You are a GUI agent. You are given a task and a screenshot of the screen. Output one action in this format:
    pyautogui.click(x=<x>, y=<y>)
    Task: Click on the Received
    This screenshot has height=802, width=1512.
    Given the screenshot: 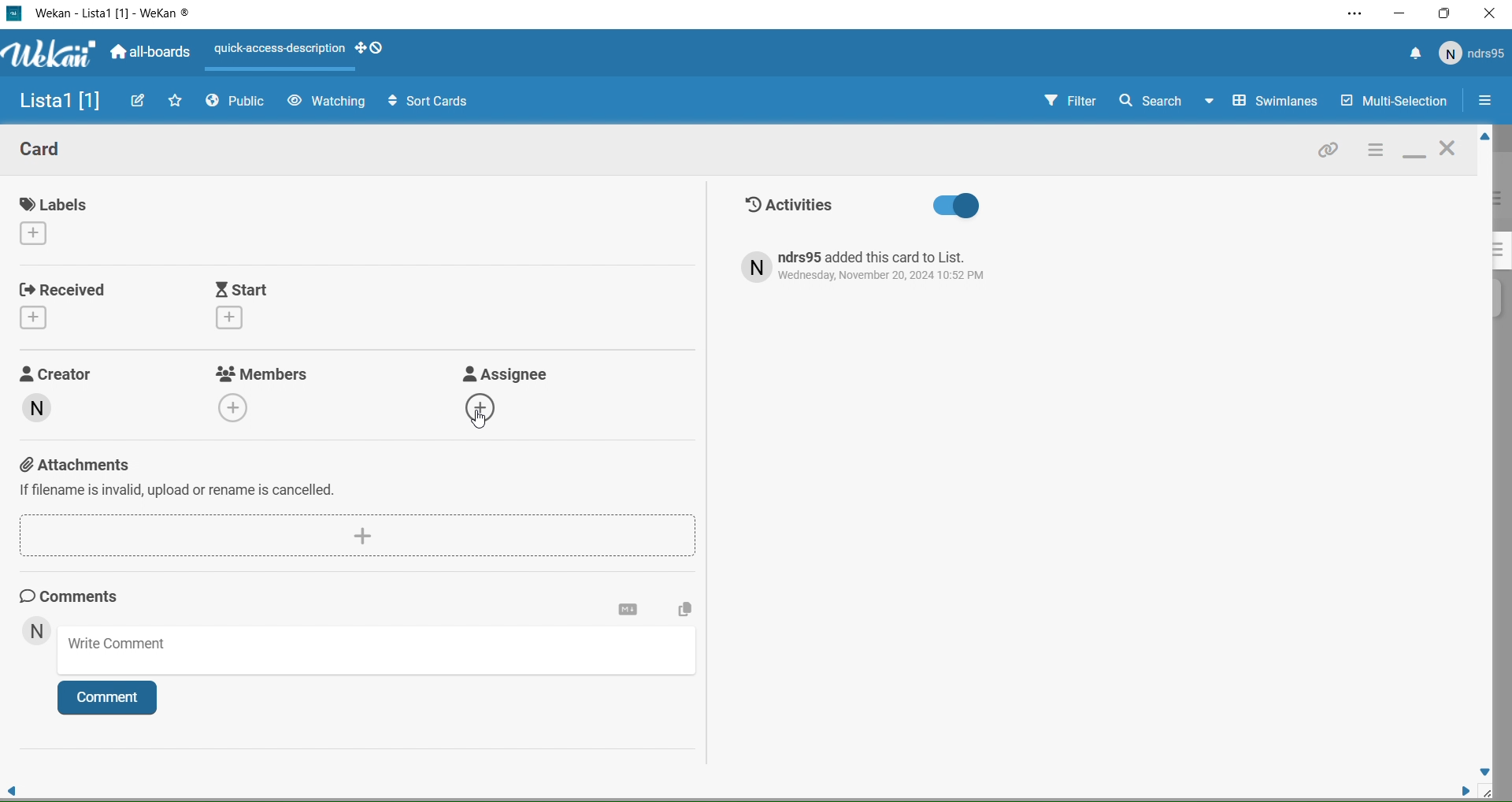 What is the action you would take?
    pyautogui.click(x=67, y=303)
    